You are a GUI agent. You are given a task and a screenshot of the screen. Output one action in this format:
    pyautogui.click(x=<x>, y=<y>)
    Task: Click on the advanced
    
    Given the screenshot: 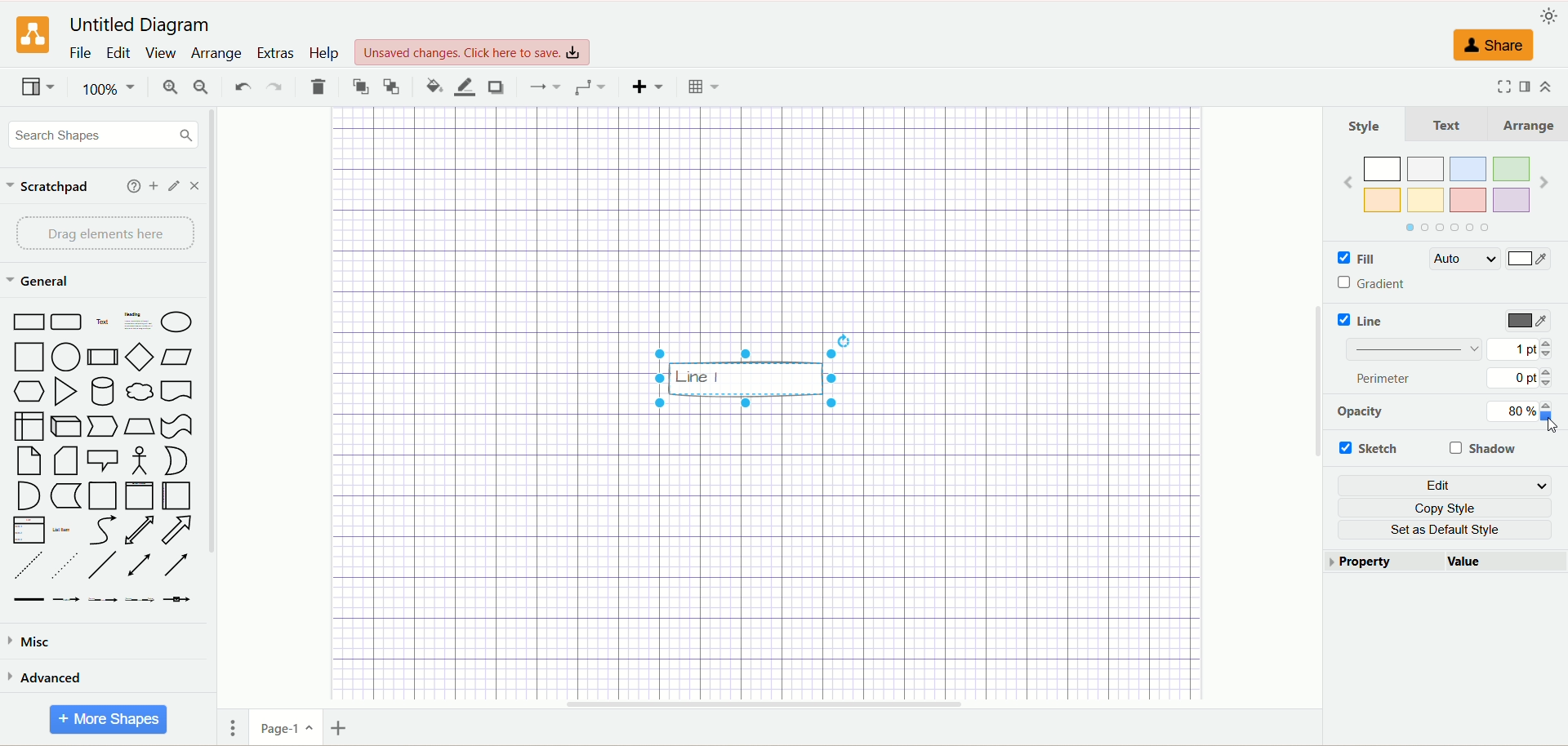 What is the action you would take?
    pyautogui.click(x=50, y=676)
    